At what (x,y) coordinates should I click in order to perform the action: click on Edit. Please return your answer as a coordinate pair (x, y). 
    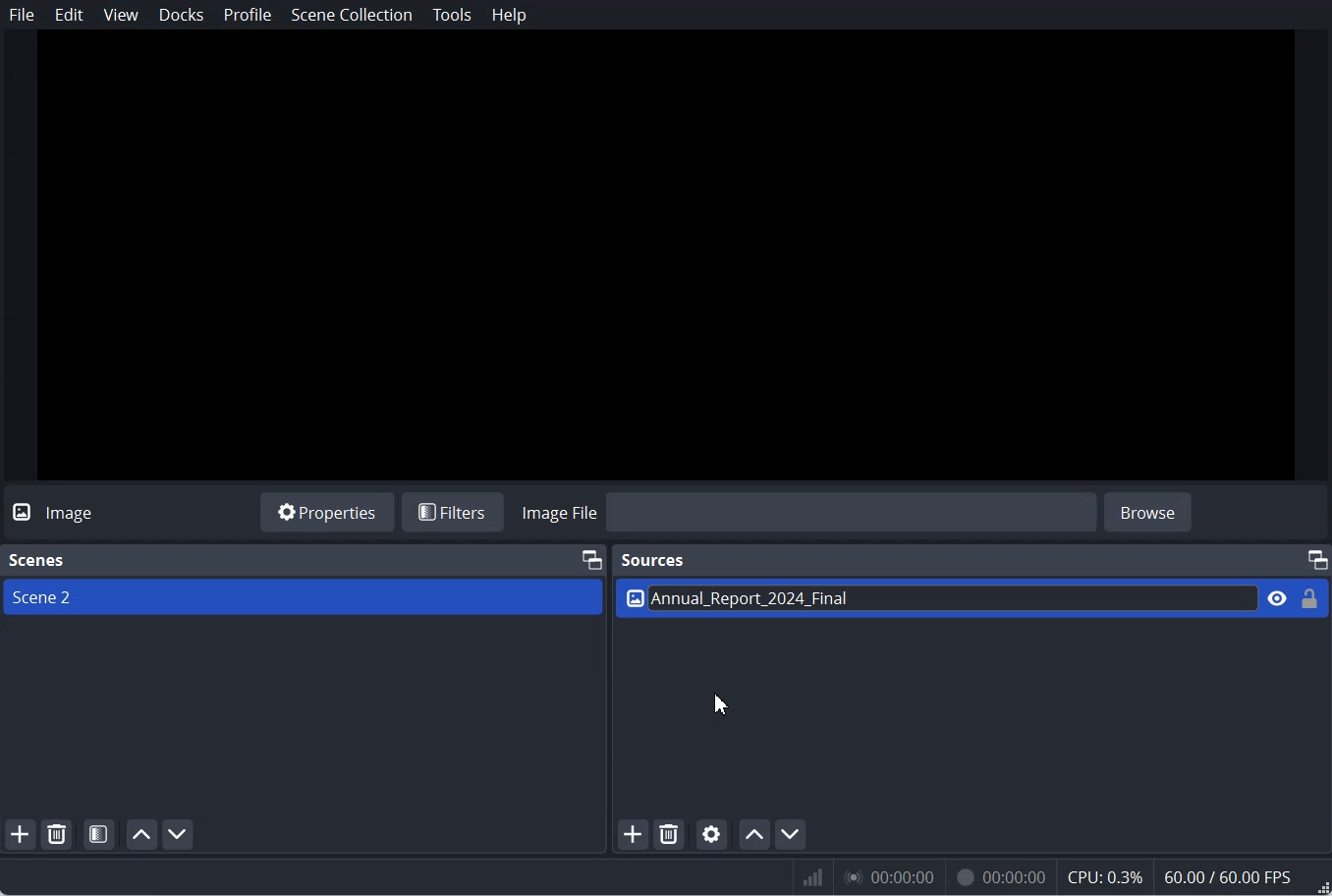
    Looking at the image, I should click on (70, 15).